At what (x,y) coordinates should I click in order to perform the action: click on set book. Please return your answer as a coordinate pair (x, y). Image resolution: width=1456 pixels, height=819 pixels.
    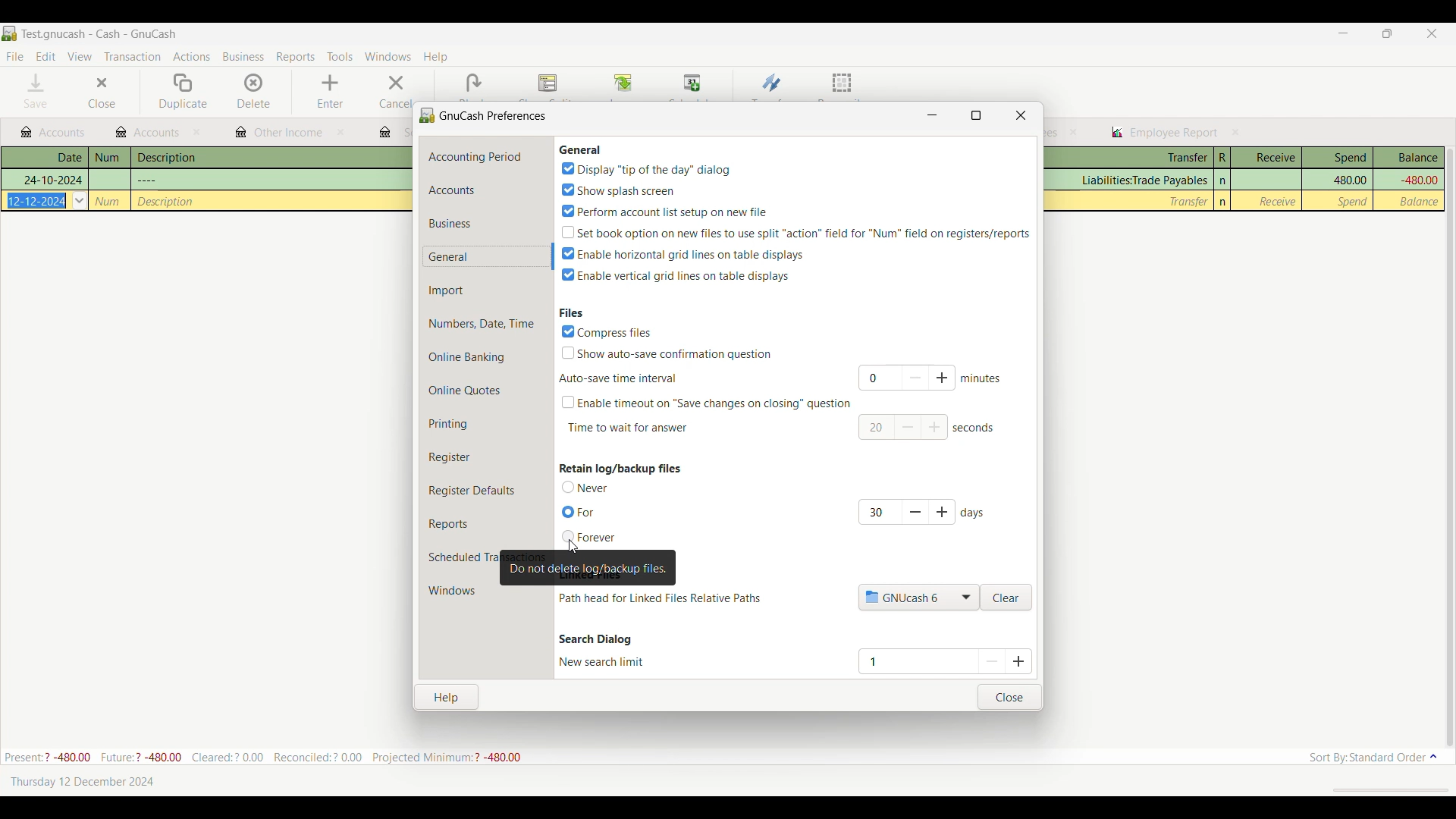
    Looking at the image, I should click on (795, 231).